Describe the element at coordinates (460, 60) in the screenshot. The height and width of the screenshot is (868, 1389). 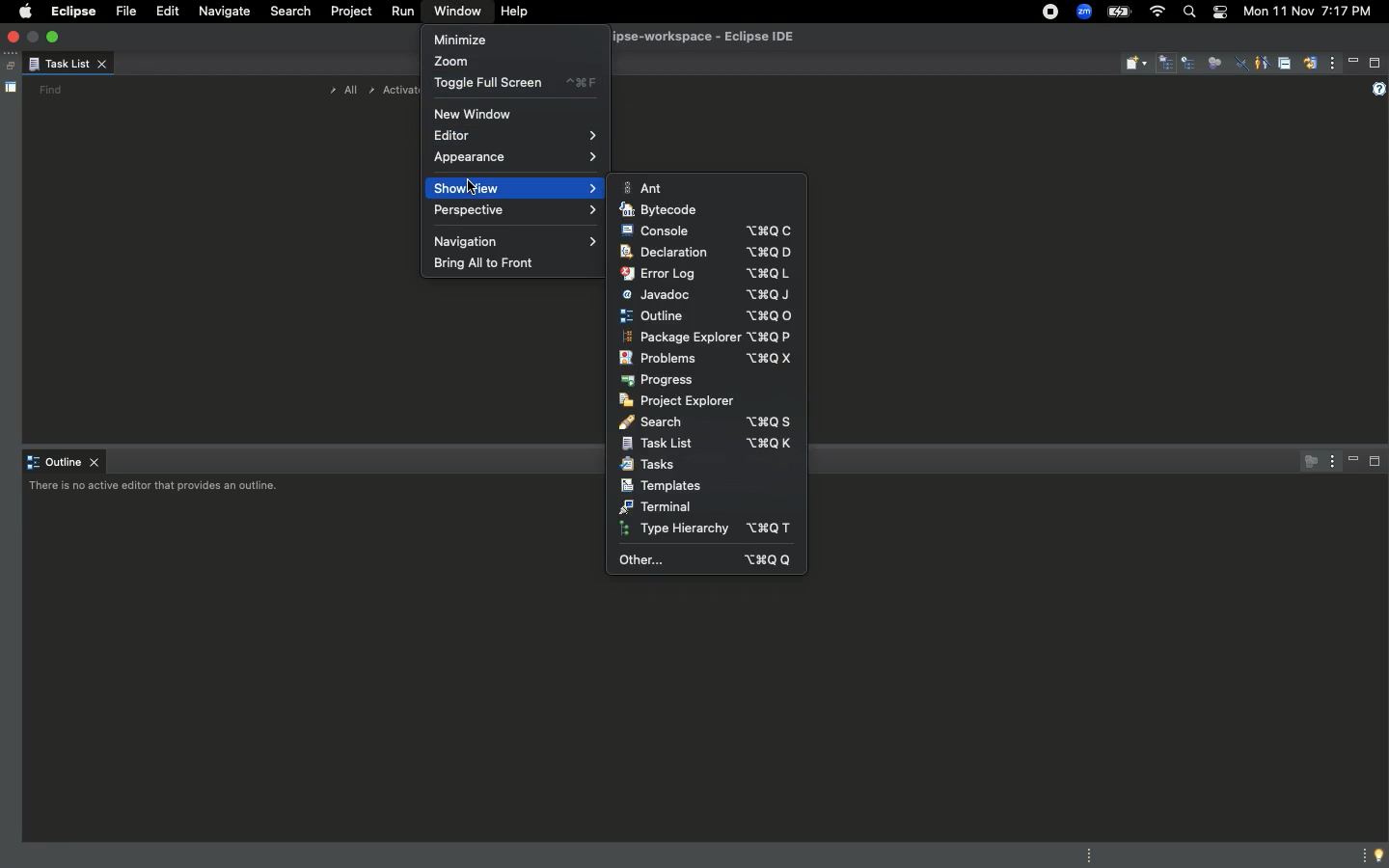
I see `Zoom` at that location.